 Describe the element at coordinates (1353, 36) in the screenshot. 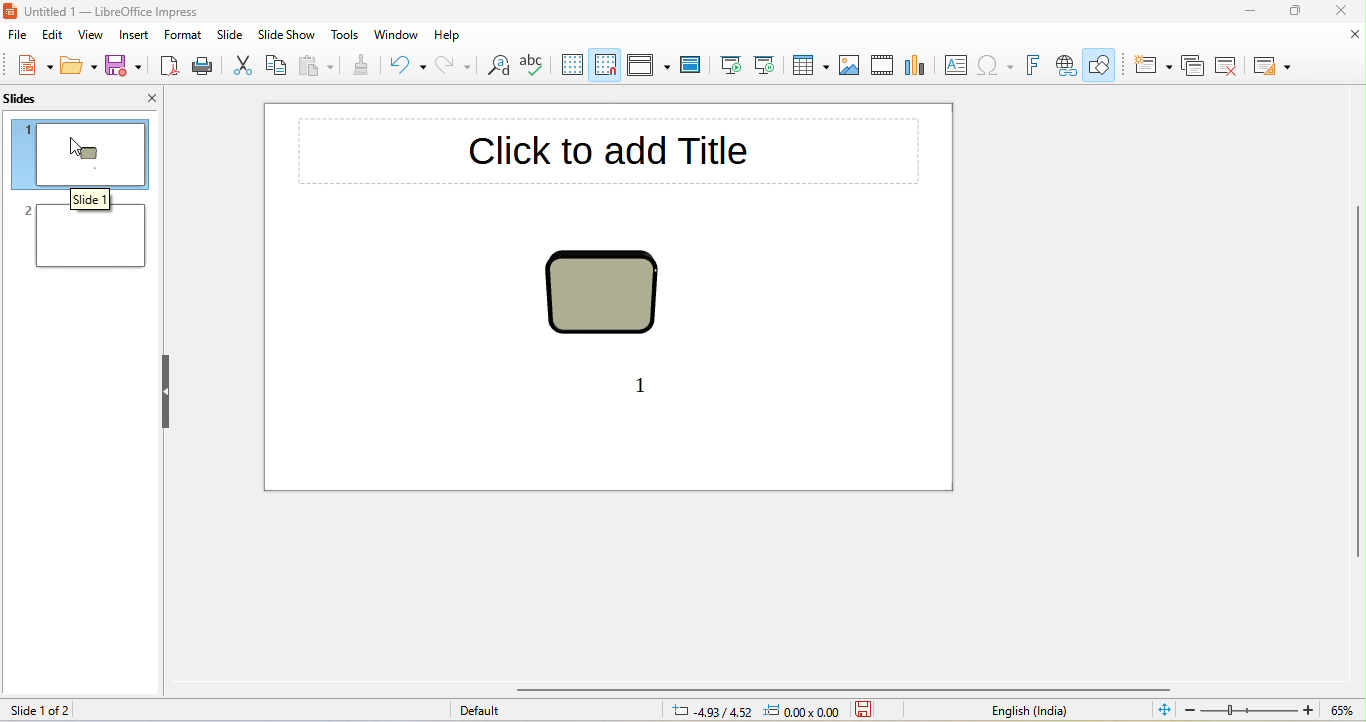

I see `close` at that location.